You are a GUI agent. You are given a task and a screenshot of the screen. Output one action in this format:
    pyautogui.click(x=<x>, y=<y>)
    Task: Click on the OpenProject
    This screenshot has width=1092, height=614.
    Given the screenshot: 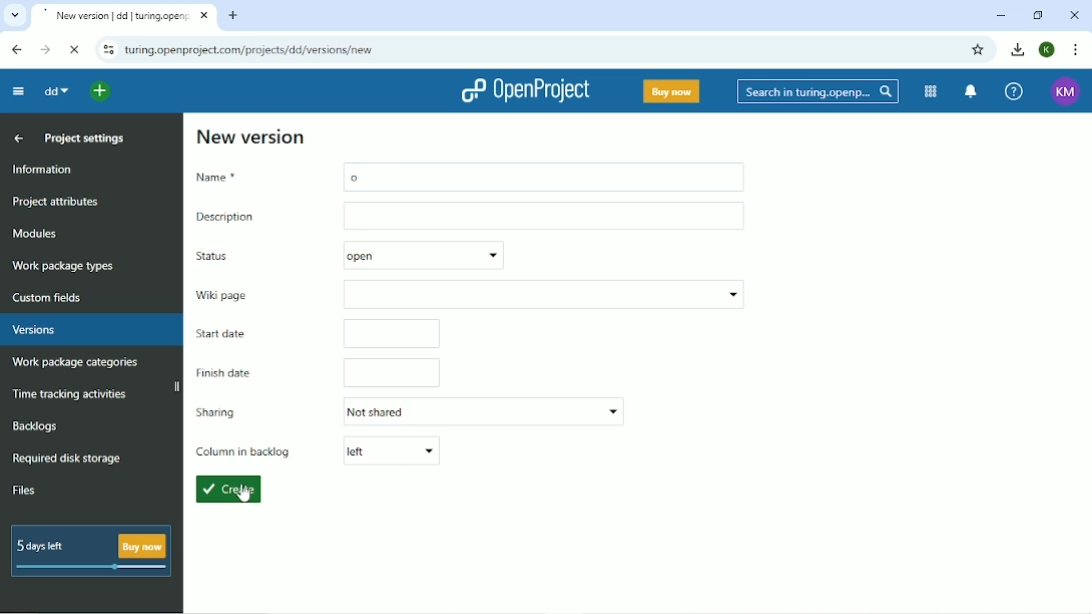 What is the action you would take?
    pyautogui.click(x=525, y=91)
    